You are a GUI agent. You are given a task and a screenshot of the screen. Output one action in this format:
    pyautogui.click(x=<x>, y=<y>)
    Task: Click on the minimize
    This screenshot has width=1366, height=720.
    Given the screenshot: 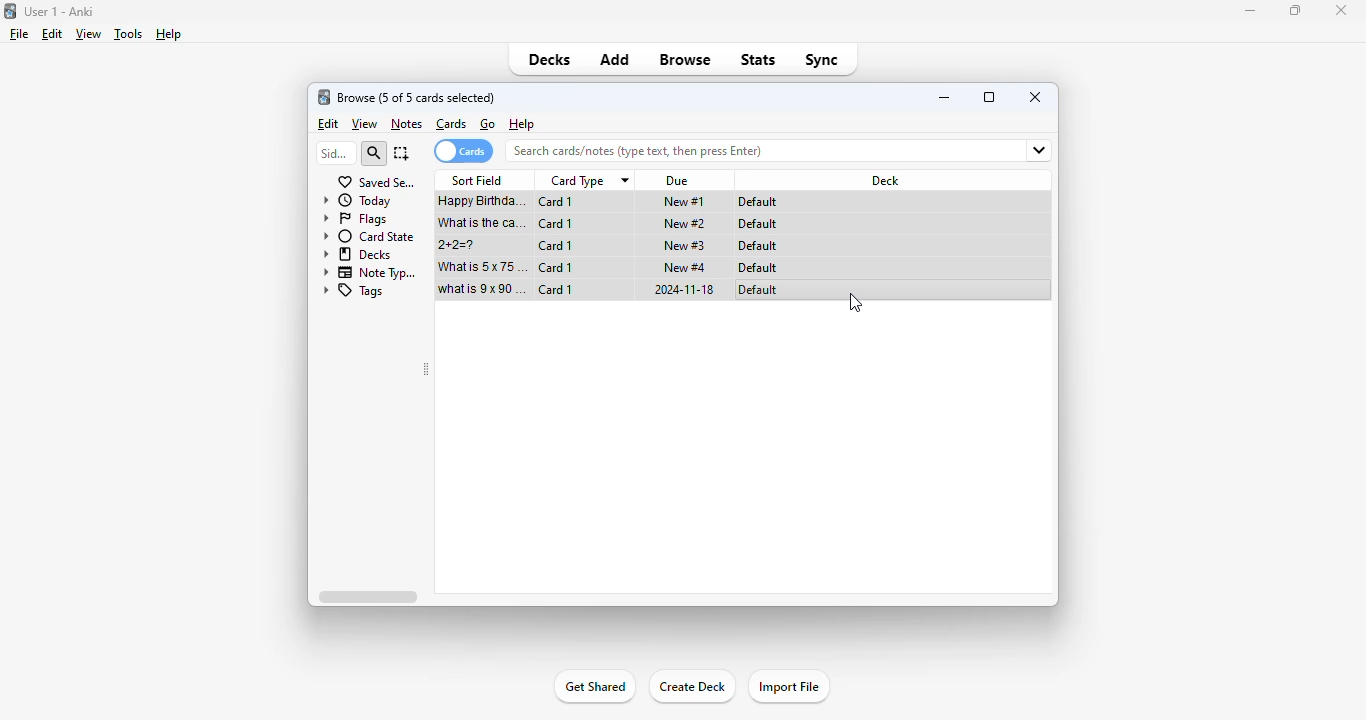 What is the action you would take?
    pyautogui.click(x=1249, y=11)
    